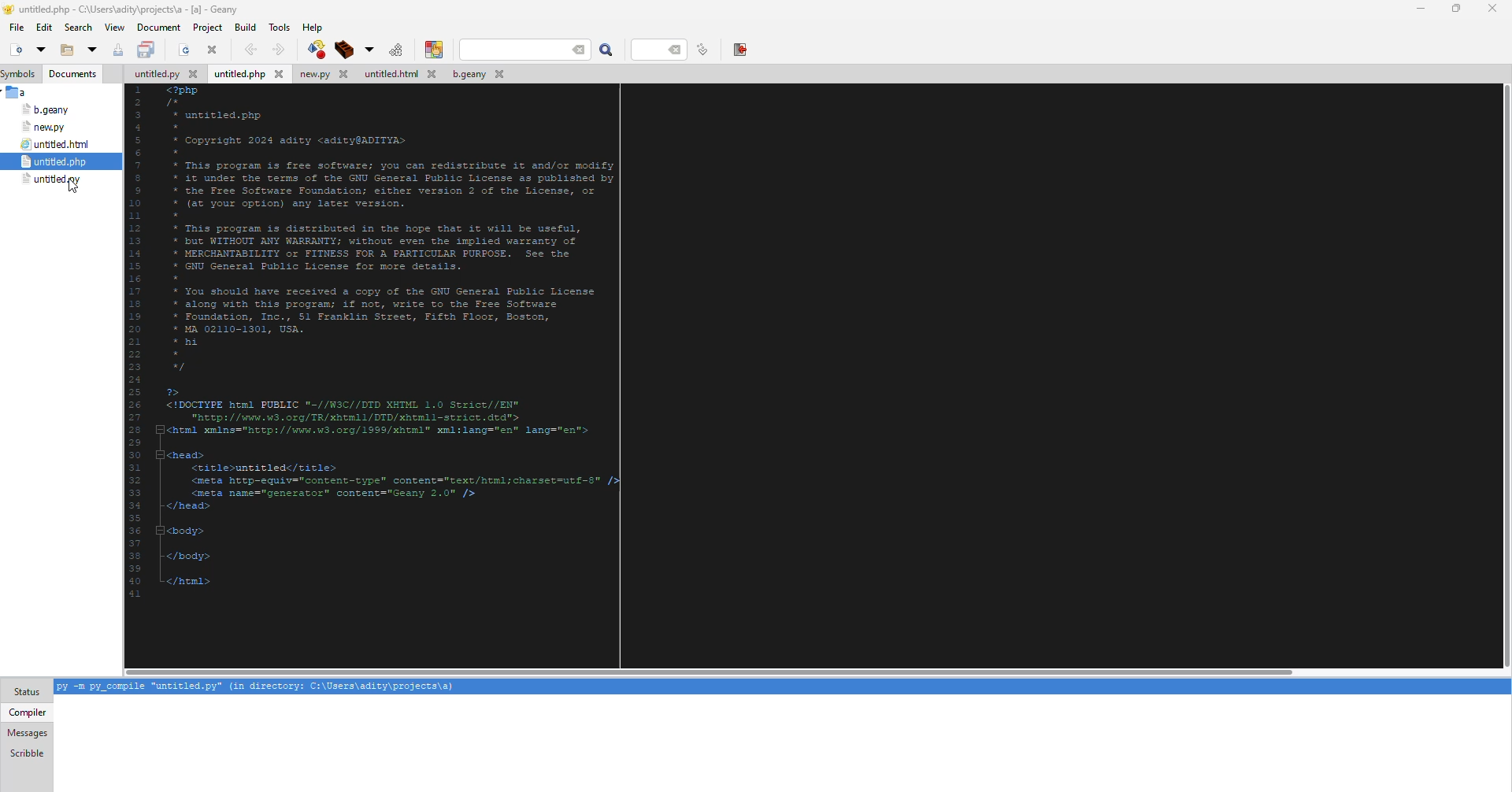 Image resolution: width=1512 pixels, height=792 pixels. I want to click on scroll bar, so click(709, 668).